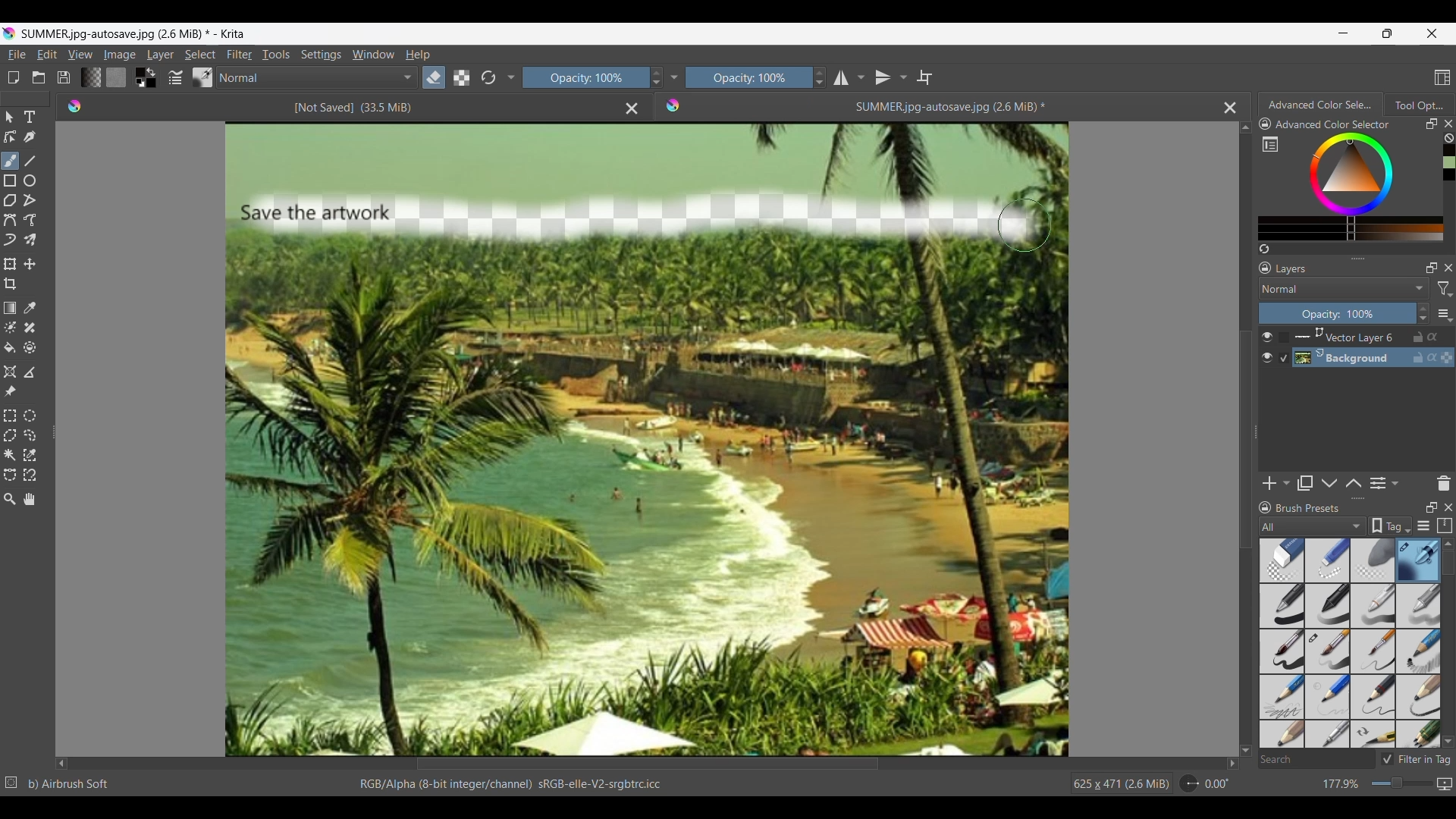 Image resolution: width=1456 pixels, height=819 pixels. Describe the element at coordinates (1266, 510) in the screenshot. I see `Lock Brush Presets panel` at that location.